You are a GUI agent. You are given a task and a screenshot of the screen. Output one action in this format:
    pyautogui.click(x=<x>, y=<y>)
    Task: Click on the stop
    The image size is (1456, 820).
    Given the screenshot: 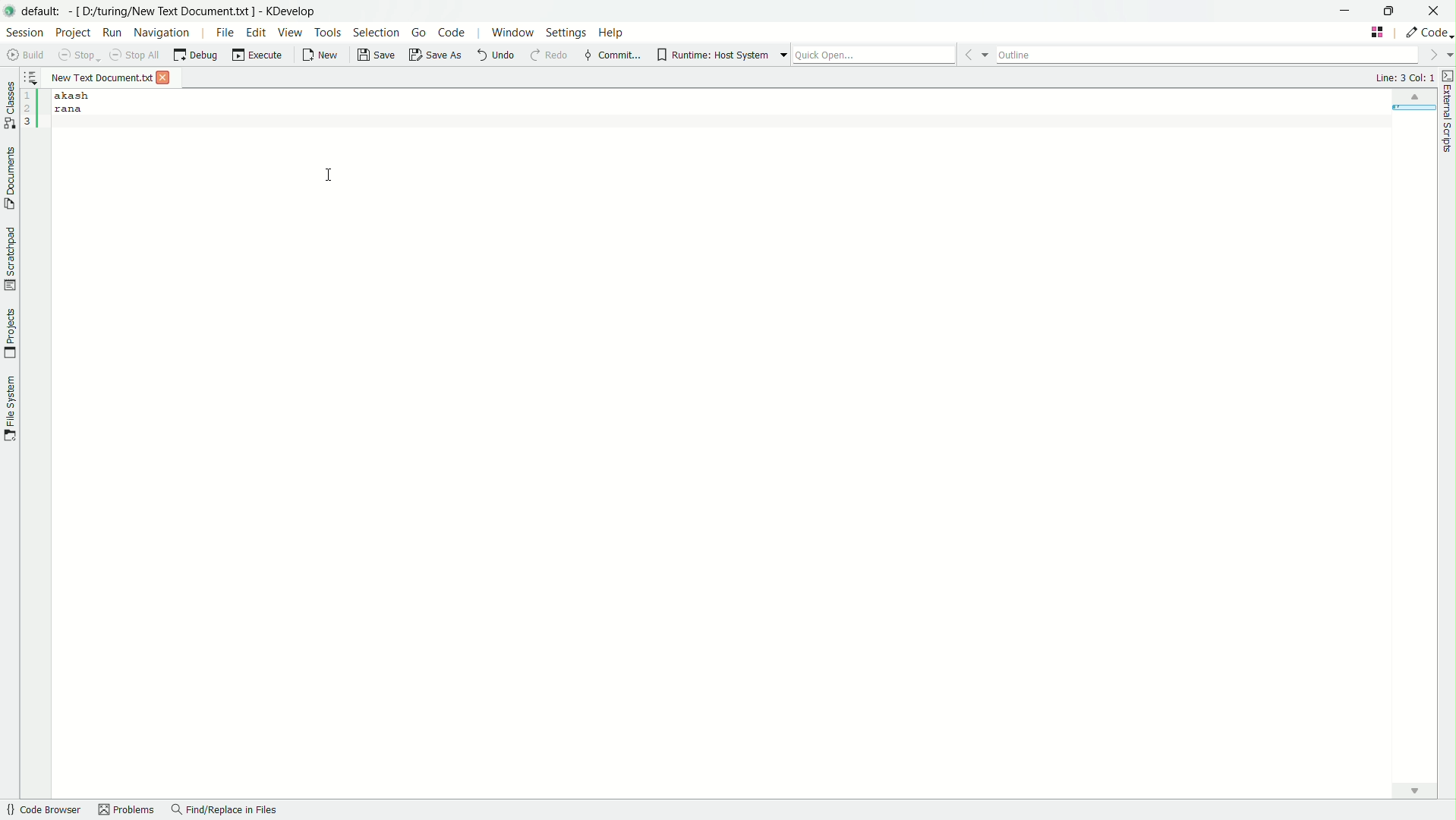 What is the action you would take?
    pyautogui.click(x=80, y=55)
    